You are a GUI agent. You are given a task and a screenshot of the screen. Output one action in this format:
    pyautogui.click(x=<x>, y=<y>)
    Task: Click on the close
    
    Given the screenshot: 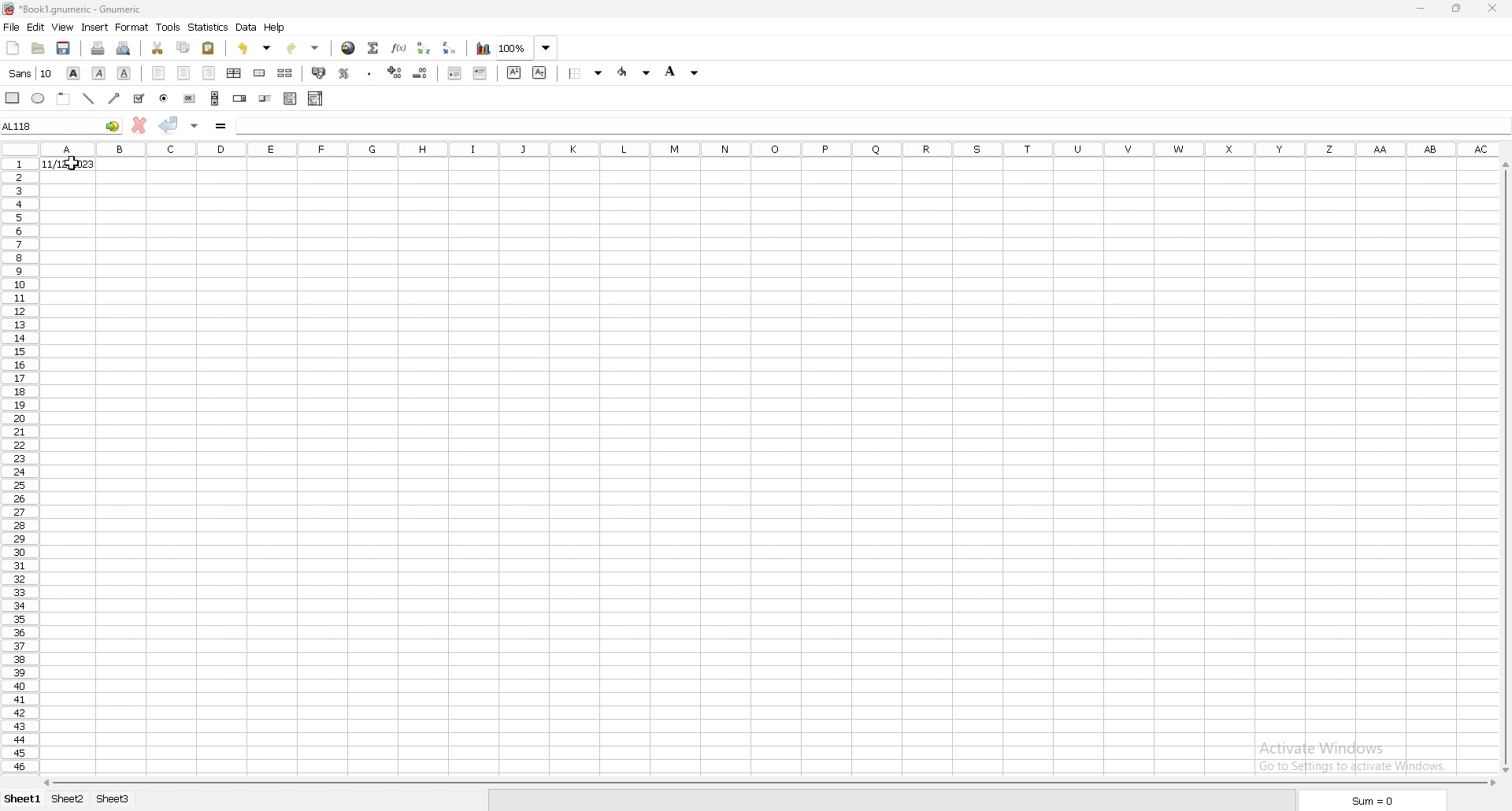 What is the action you would take?
    pyautogui.click(x=1494, y=9)
    